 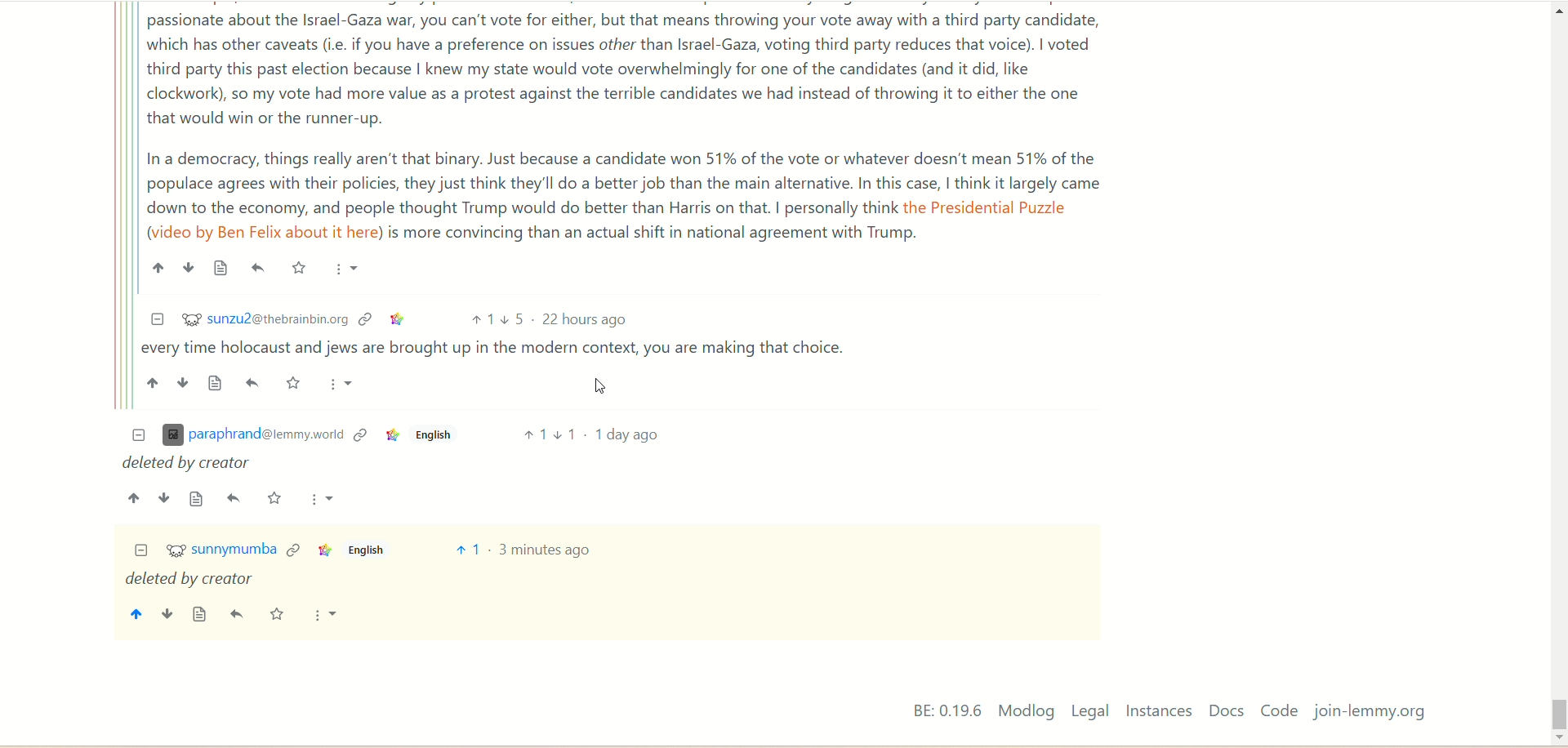 I want to click on Code, so click(x=1279, y=710).